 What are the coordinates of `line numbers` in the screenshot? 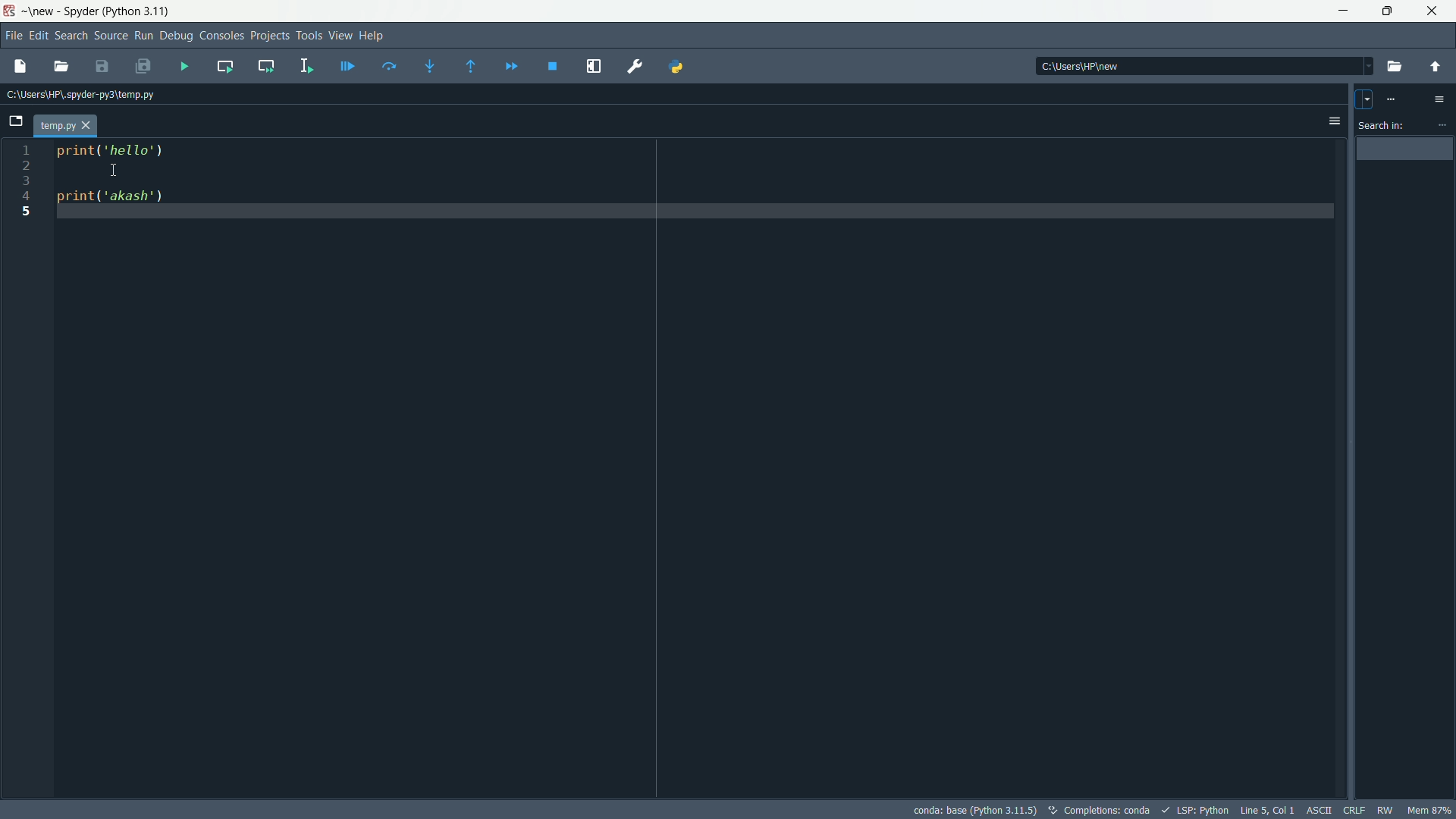 It's located at (22, 467).